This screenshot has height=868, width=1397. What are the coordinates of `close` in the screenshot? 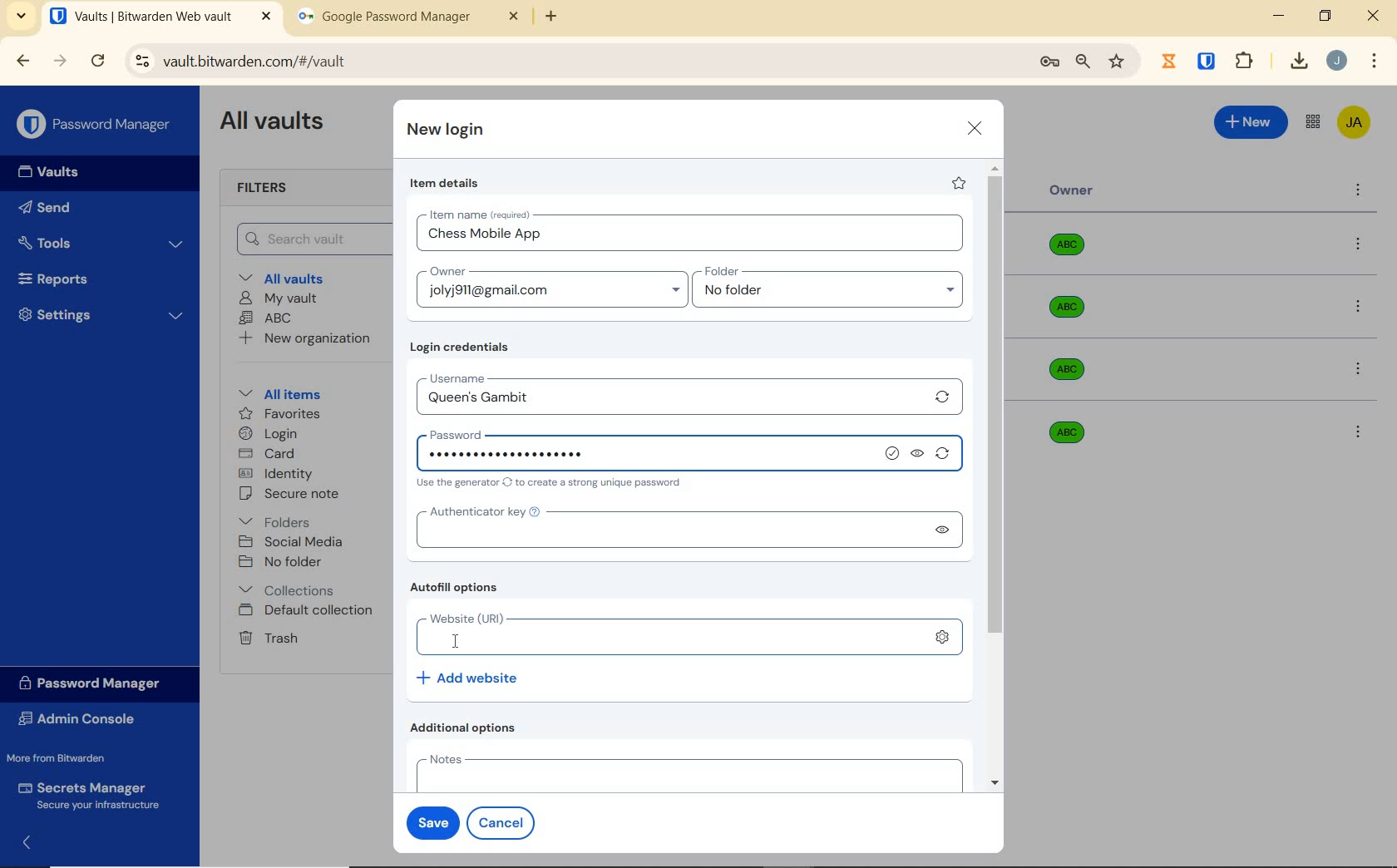 It's located at (1375, 16).